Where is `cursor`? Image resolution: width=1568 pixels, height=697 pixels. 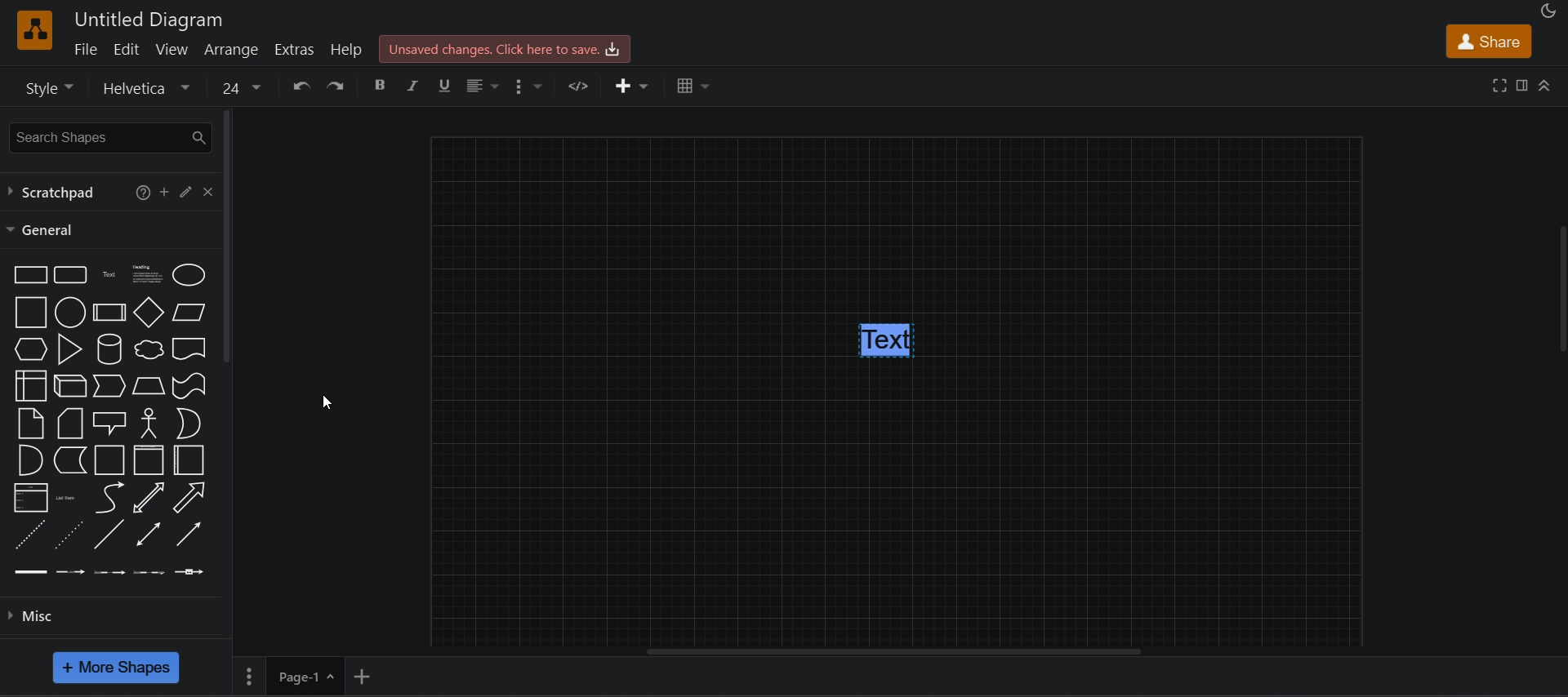 cursor is located at coordinates (329, 402).